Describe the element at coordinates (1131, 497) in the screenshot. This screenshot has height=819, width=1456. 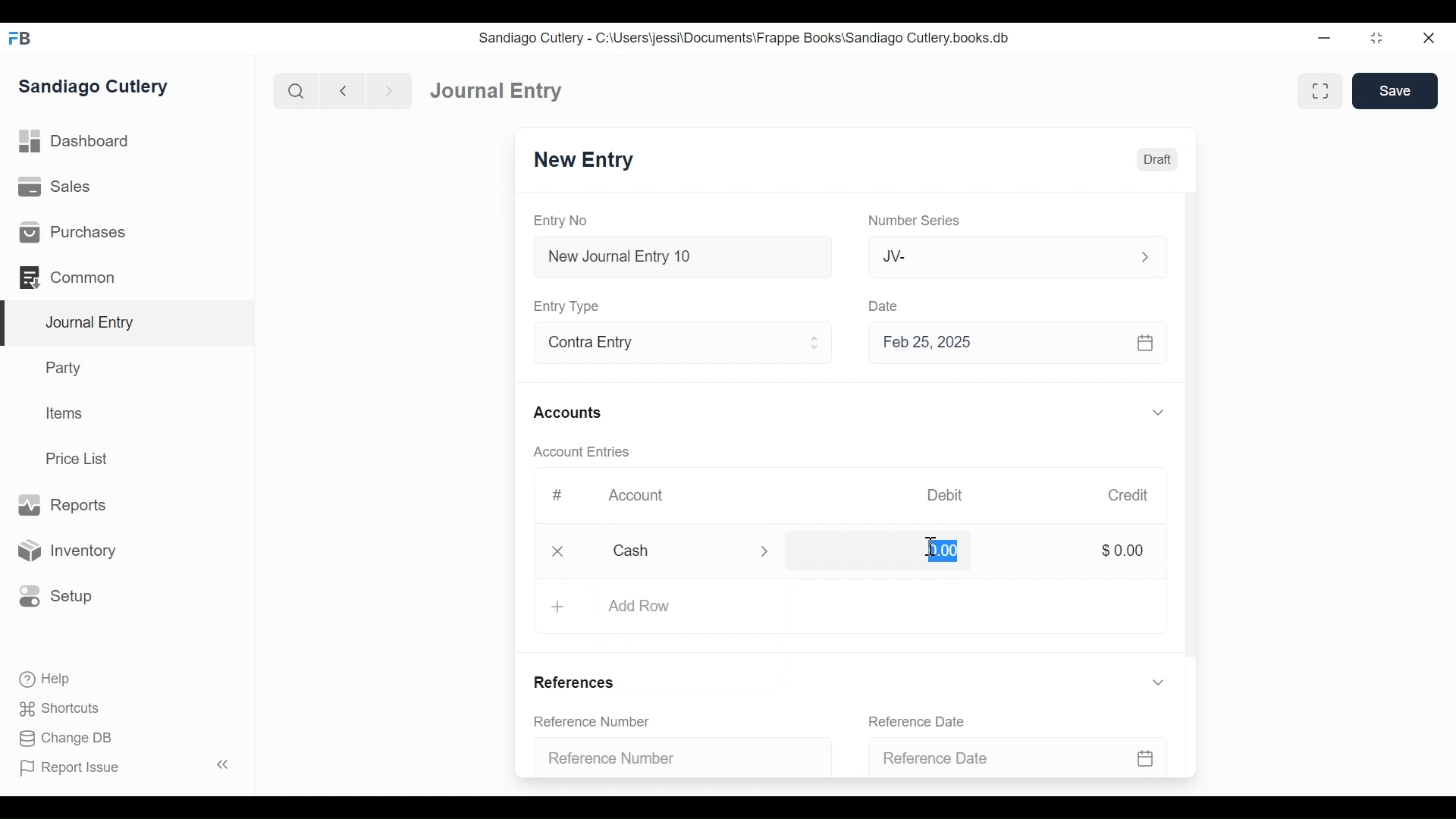
I see `Credit` at that location.